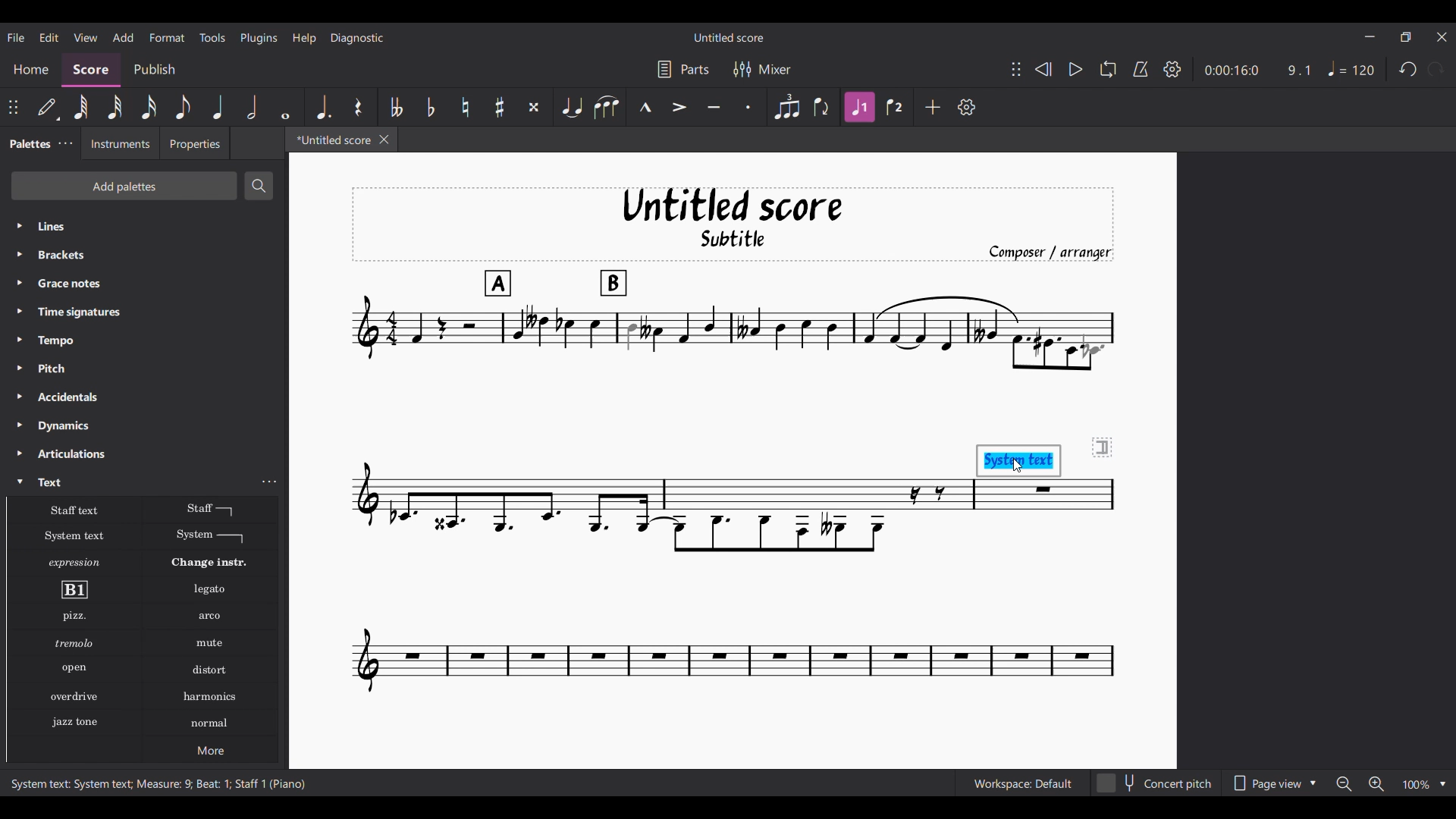 The height and width of the screenshot is (819, 1456). I want to click on *Untitled score, current tab, so click(331, 139).